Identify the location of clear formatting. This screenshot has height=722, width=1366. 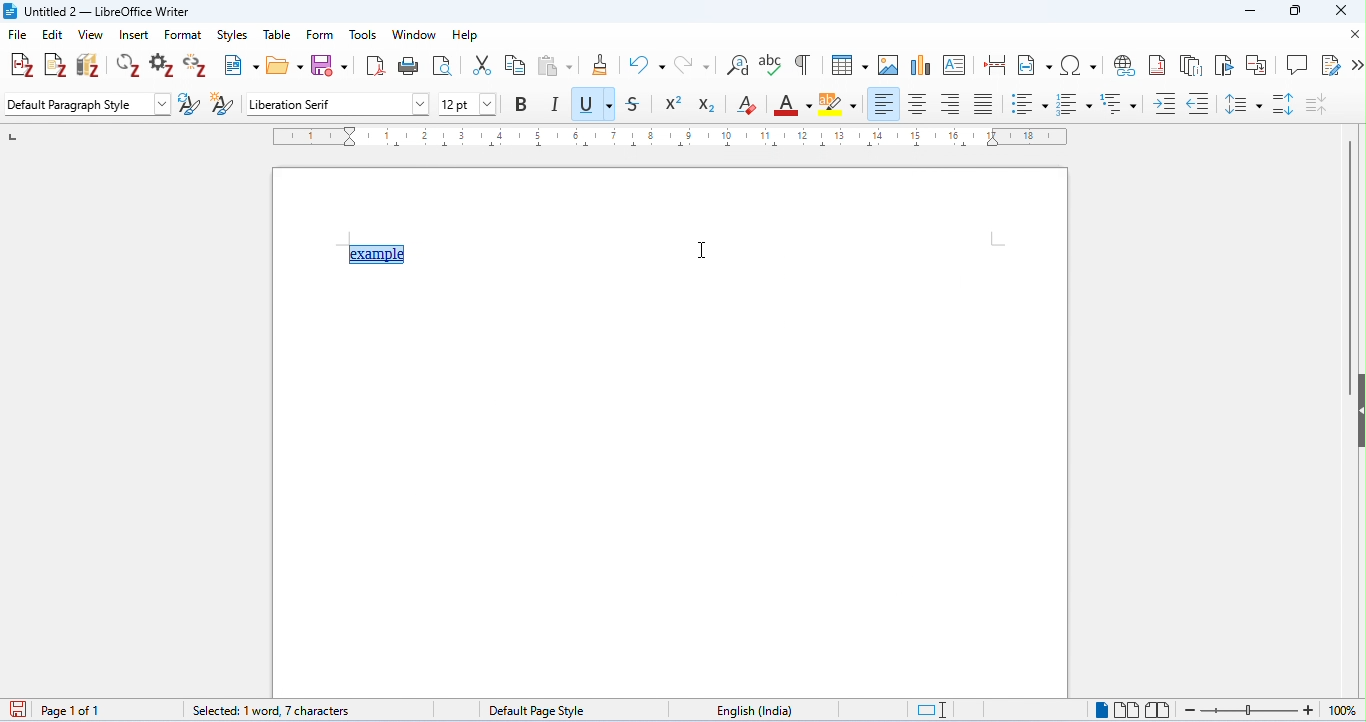
(748, 105).